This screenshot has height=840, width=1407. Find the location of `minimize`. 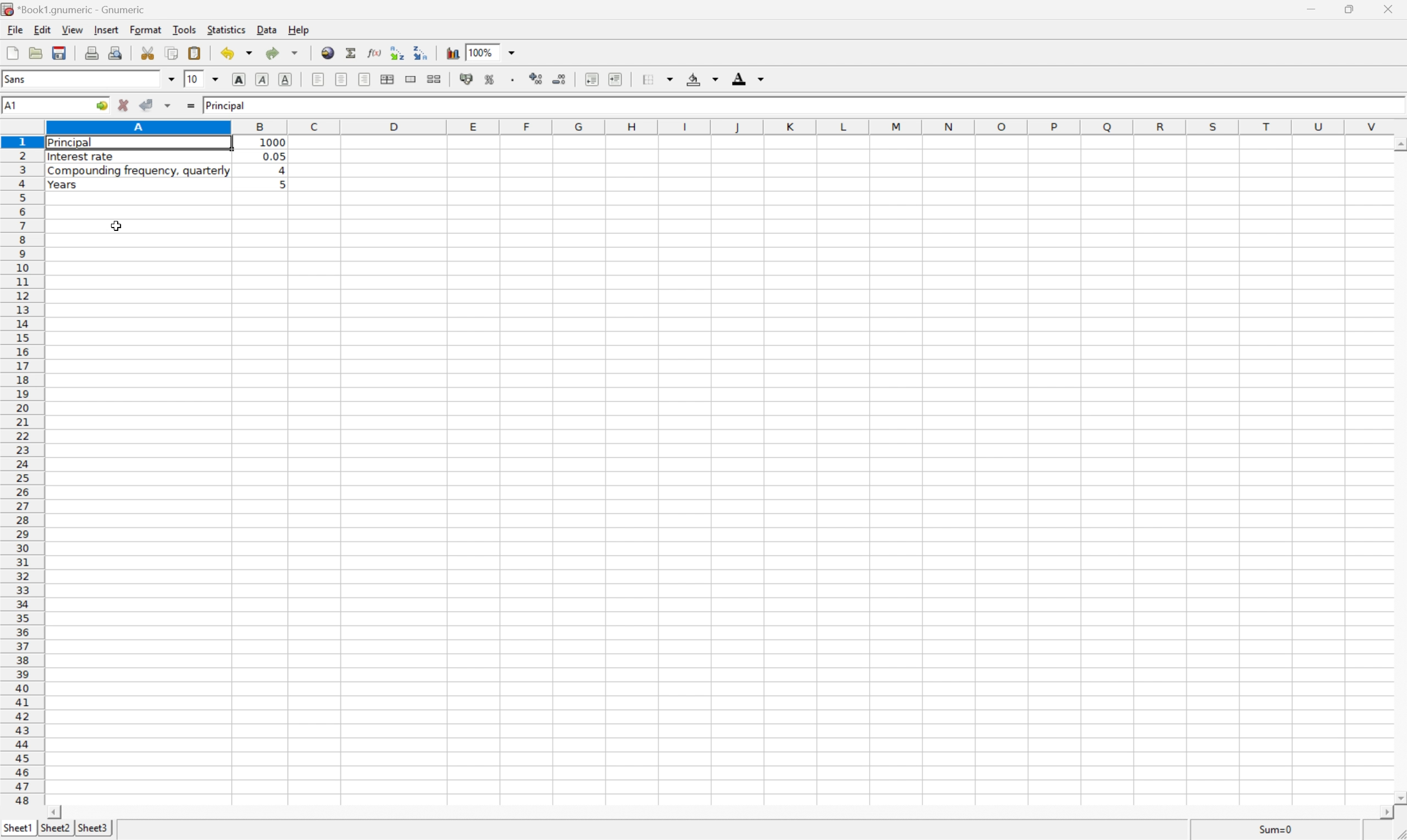

minimize is located at coordinates (1314, 9).